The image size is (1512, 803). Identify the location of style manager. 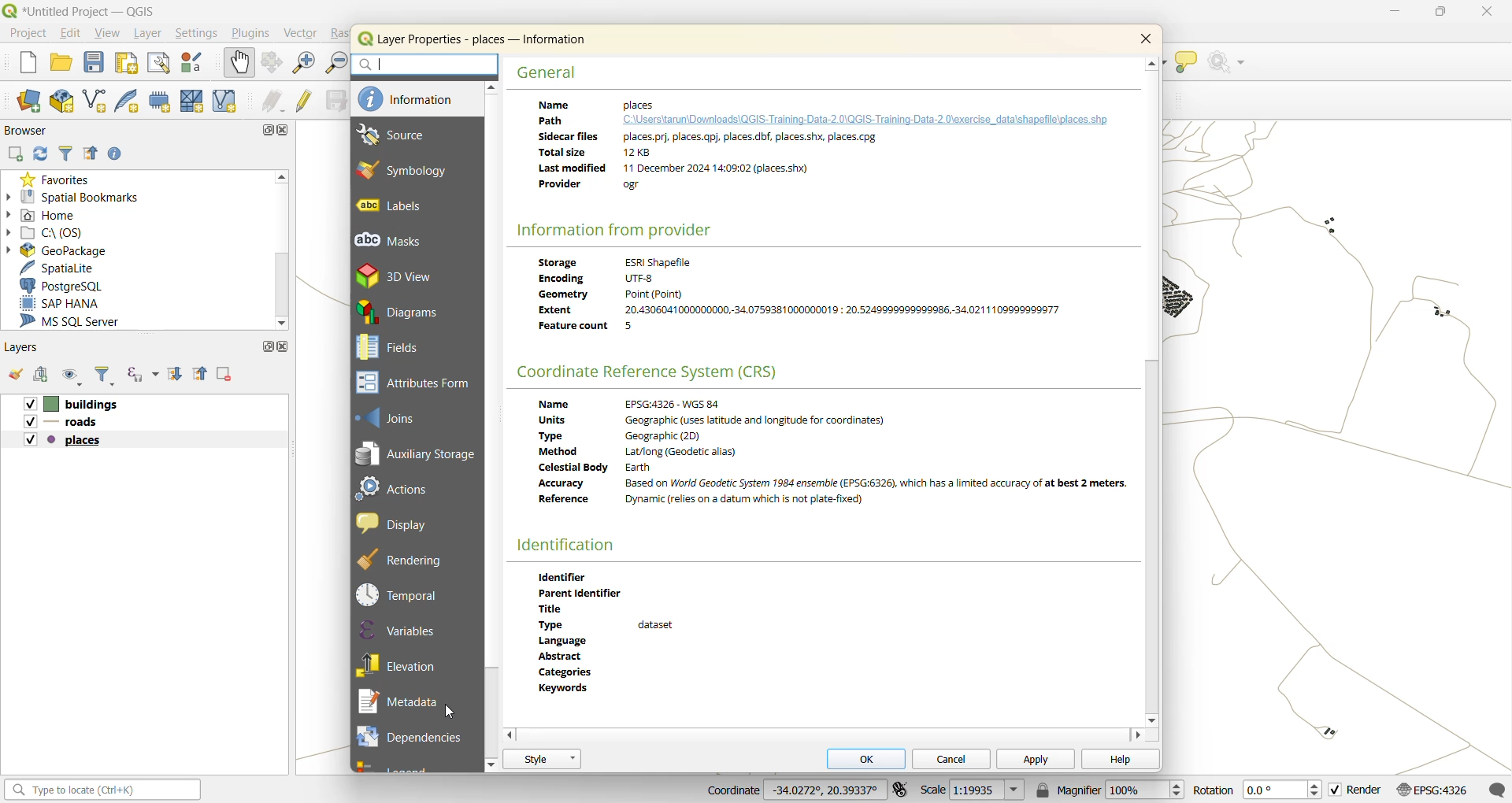
(195, 64).